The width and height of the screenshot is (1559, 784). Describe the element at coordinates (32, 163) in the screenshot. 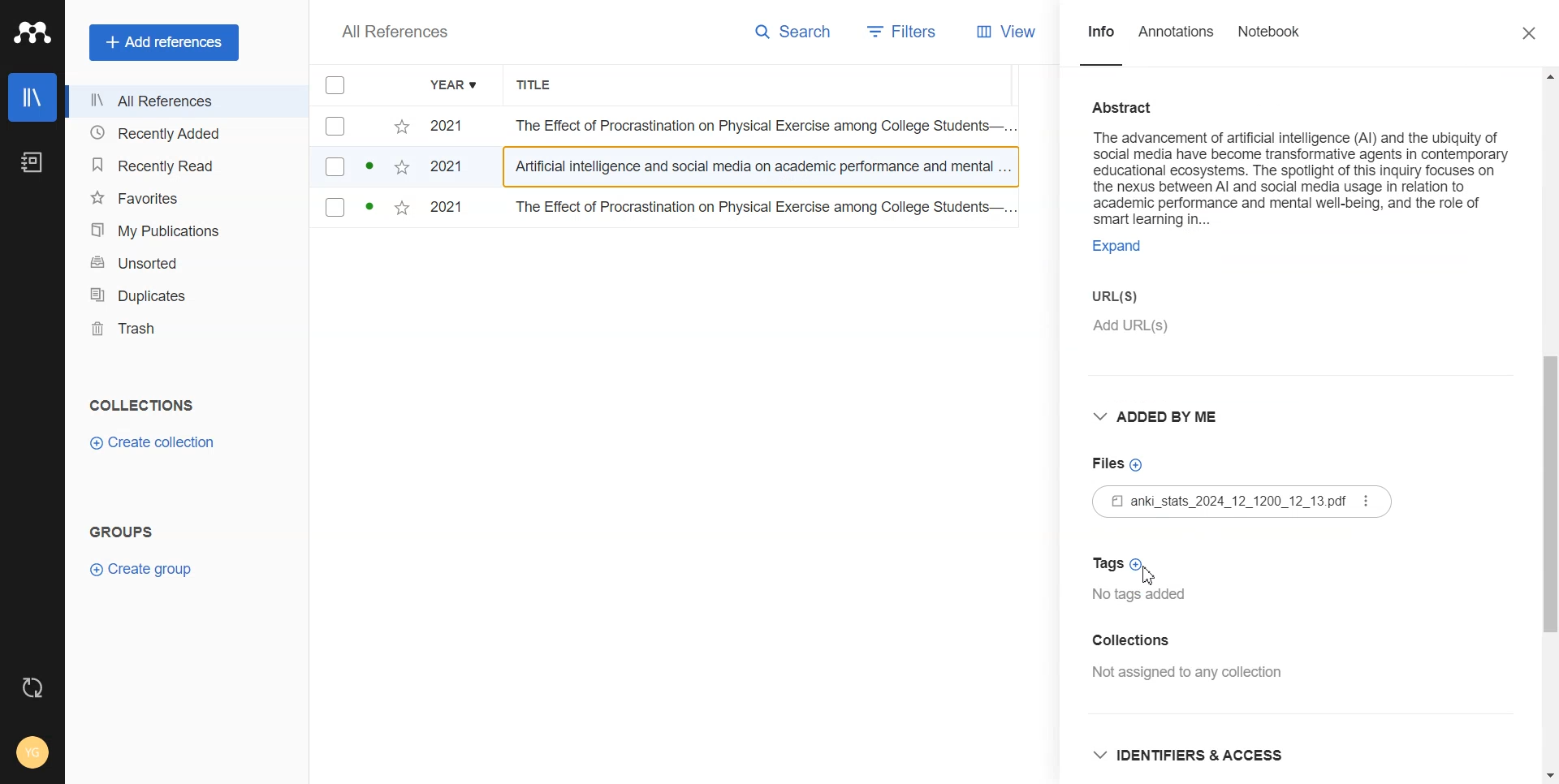

I see `Notebook` at that location.